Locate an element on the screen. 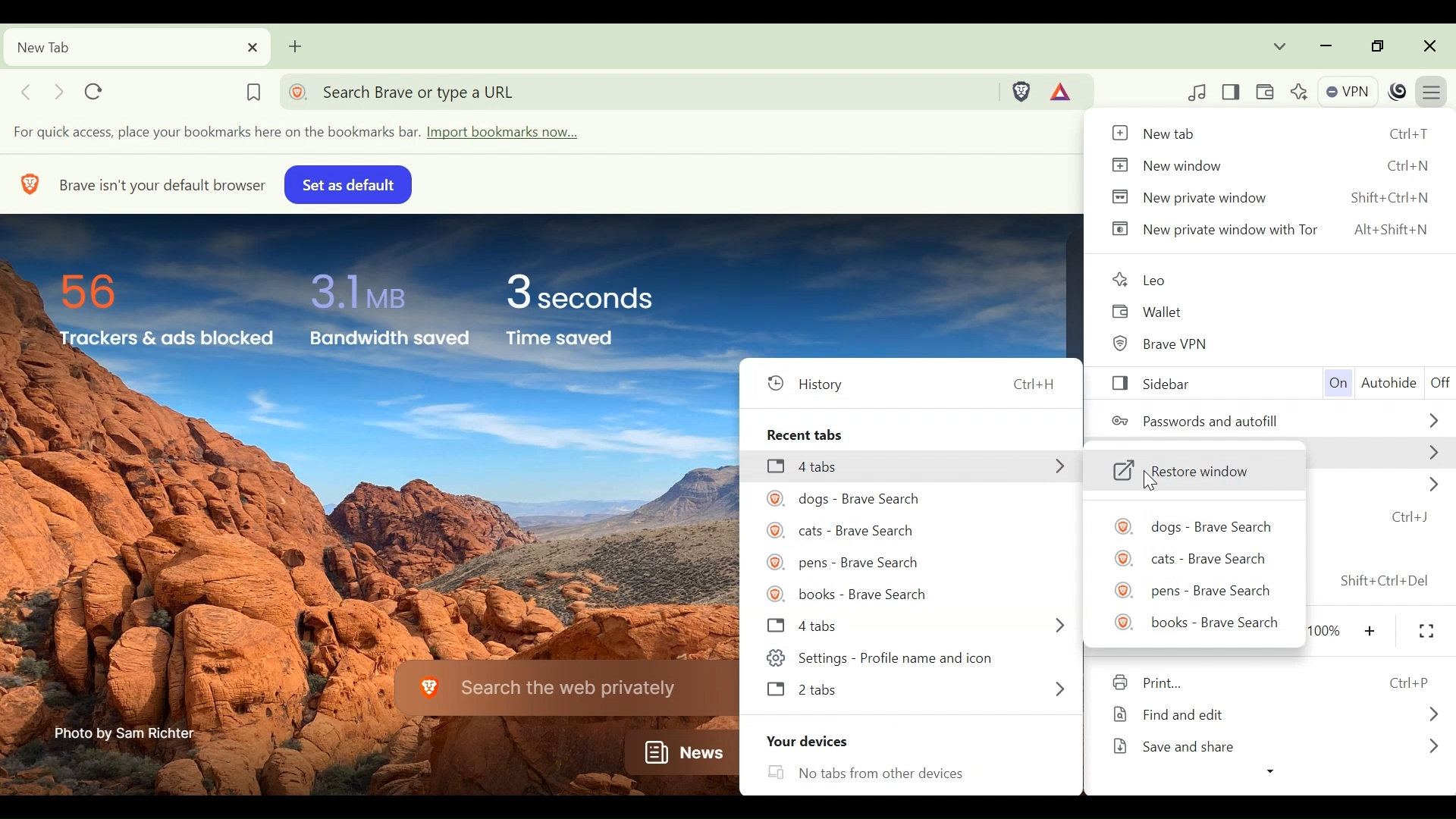 The width and height of the screenshot is (1456, 819). 56 is located at coordinates (96, 288).